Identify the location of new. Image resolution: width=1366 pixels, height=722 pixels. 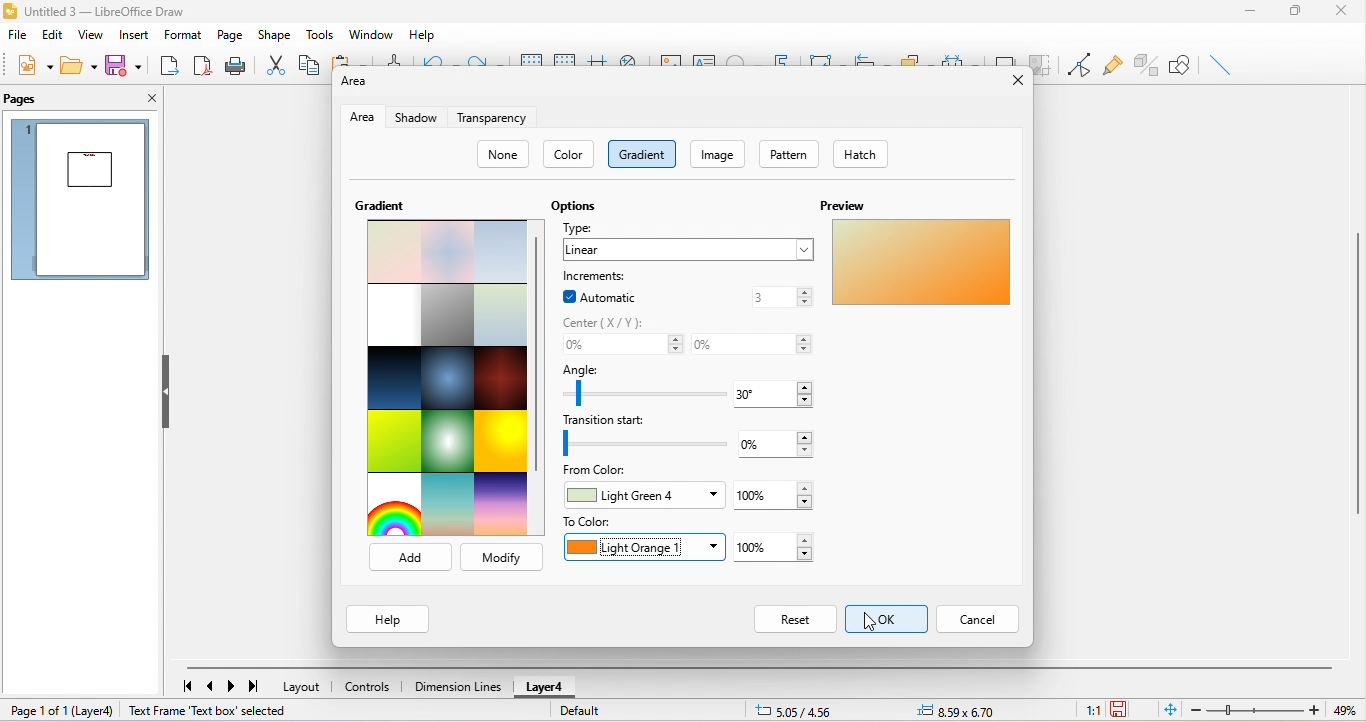
(32, 65).